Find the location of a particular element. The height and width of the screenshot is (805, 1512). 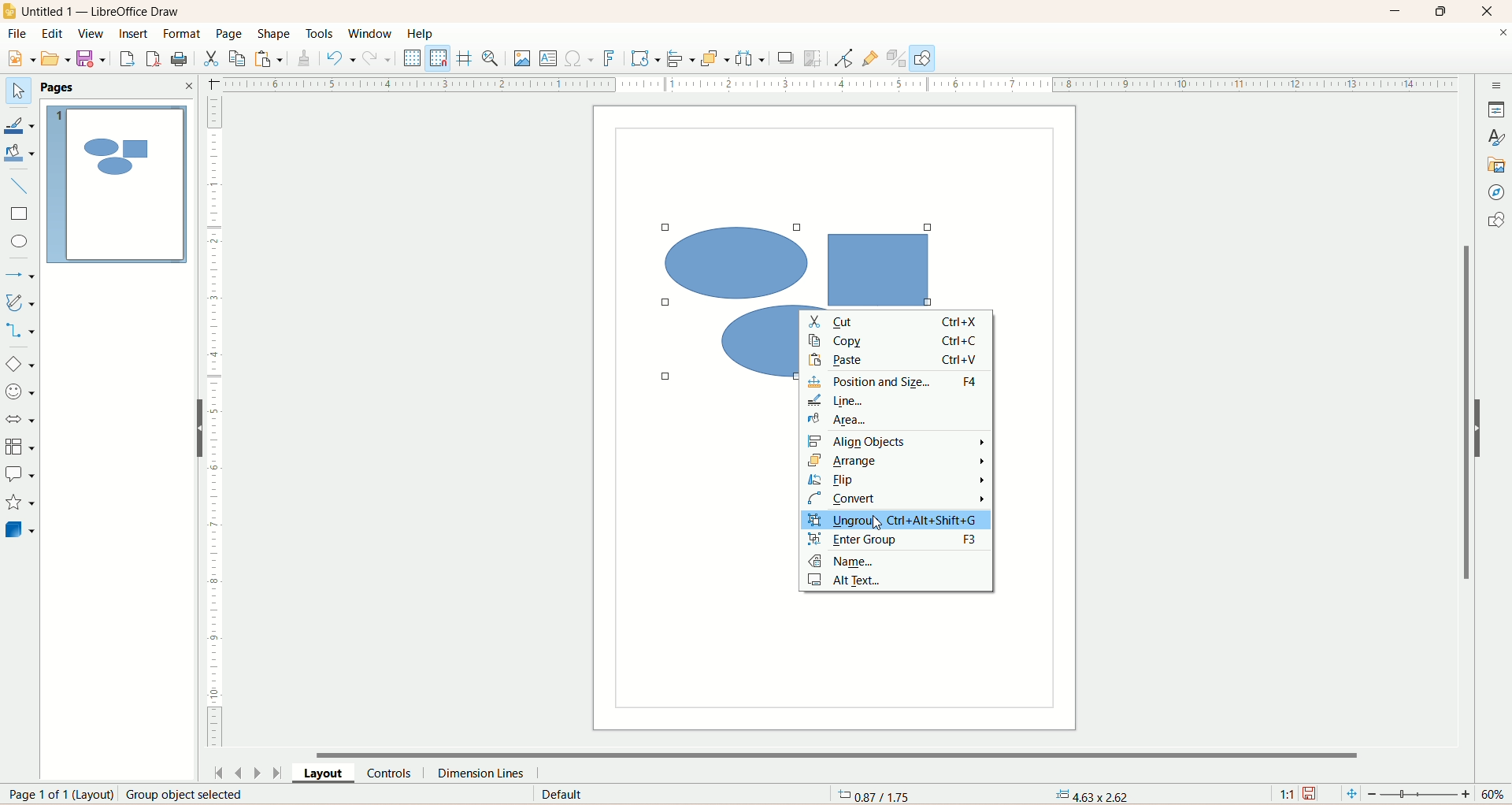

export directly as PDF is located at coordinates (153, 58).